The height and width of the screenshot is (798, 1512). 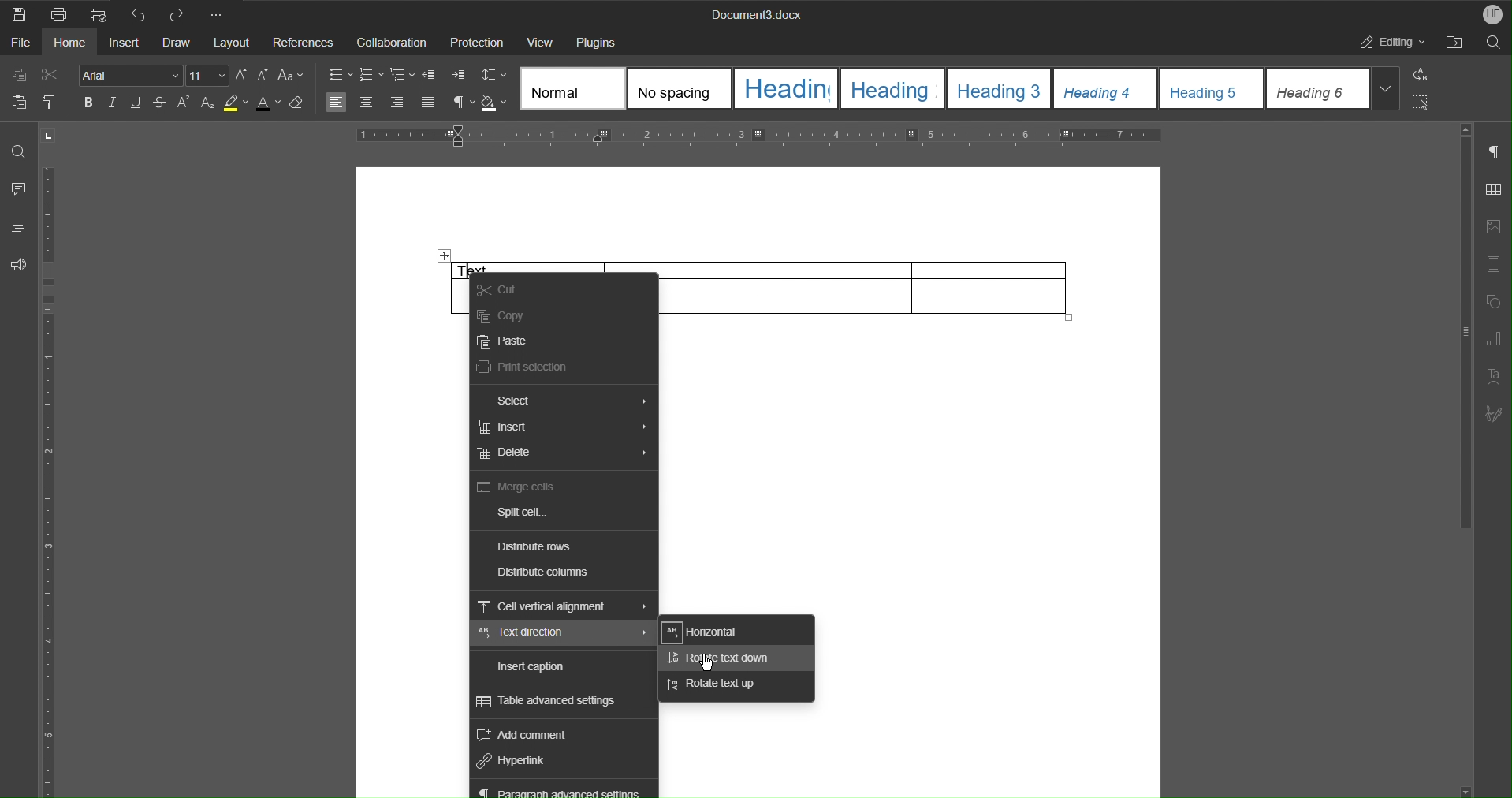 I want to click on Save, so click(x=18, y=13).